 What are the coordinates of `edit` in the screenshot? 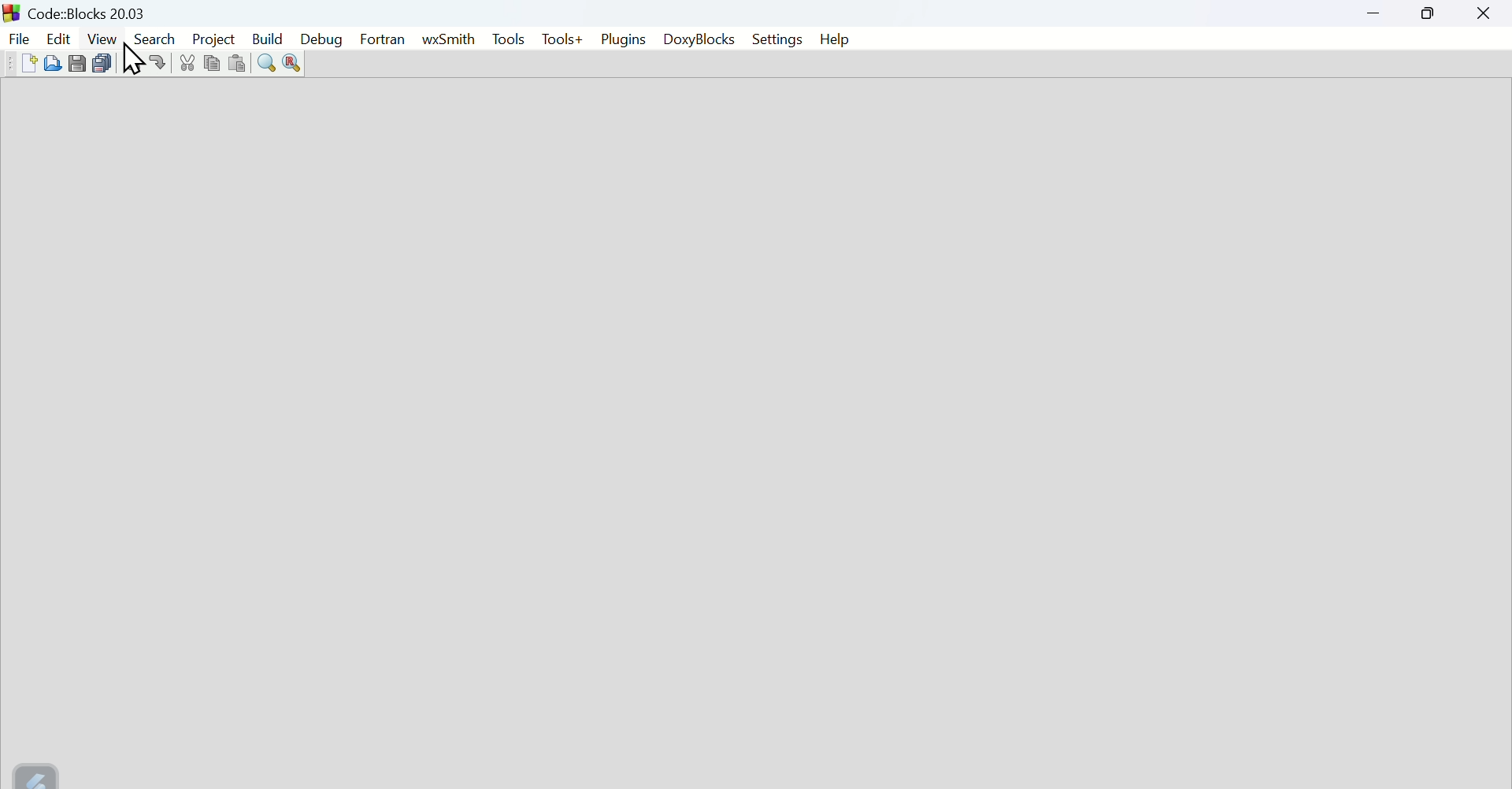 It's located at (57, 38).